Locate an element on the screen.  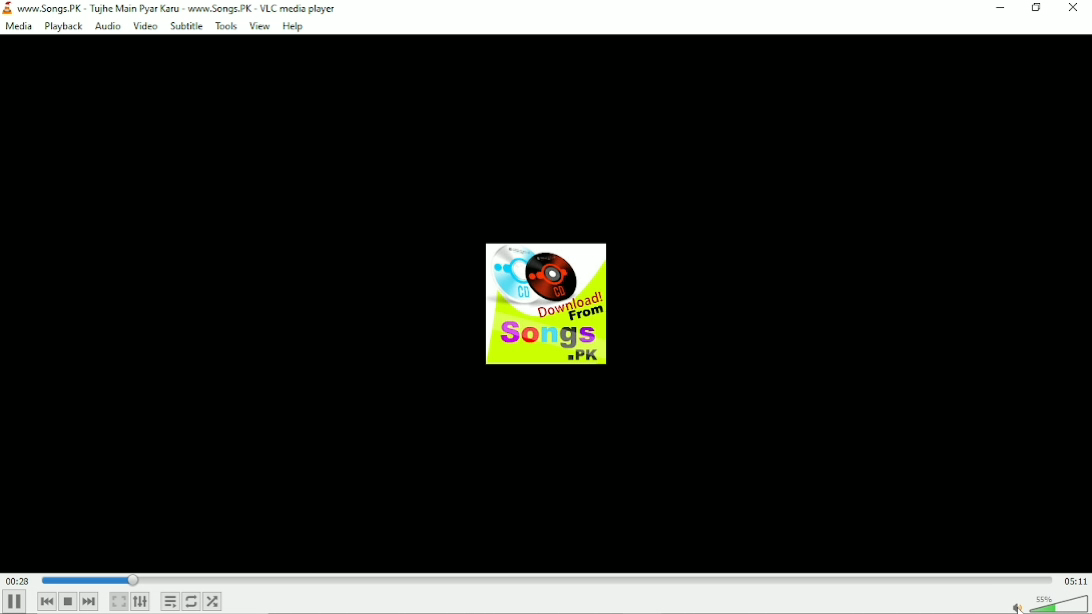
Title & details is located at coordinates (182, 7).